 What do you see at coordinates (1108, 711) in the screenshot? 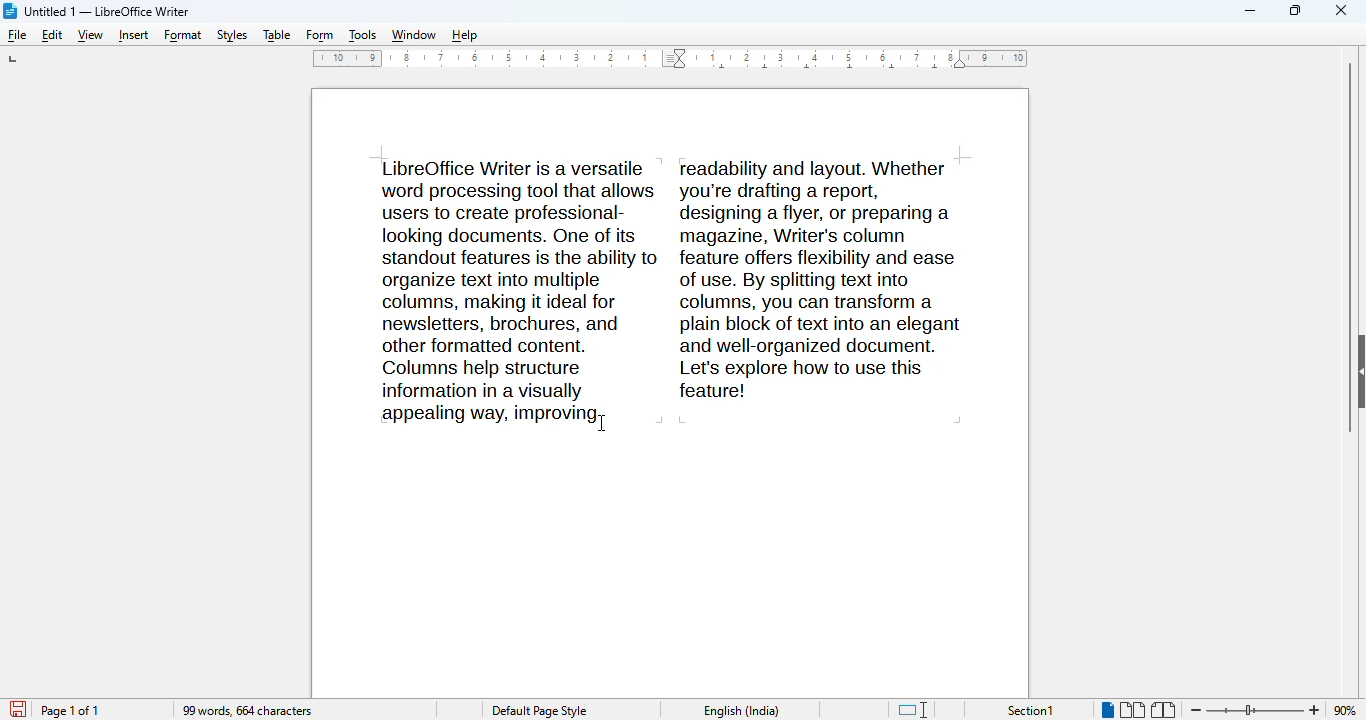
I see `single-page view` at bounding box center [1108, 711].